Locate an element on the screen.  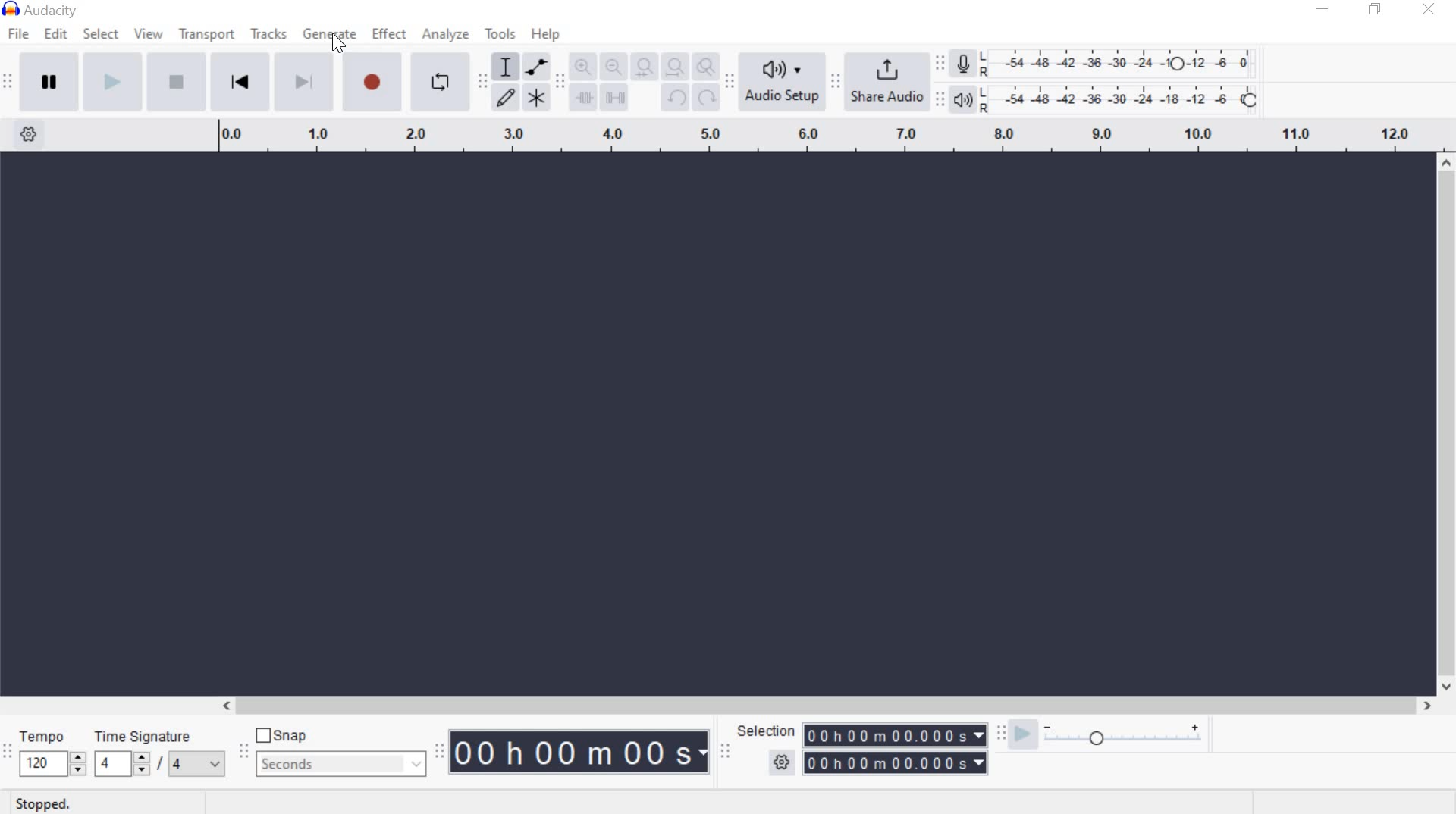
Audio Setup is located at coordinates (779, 81).